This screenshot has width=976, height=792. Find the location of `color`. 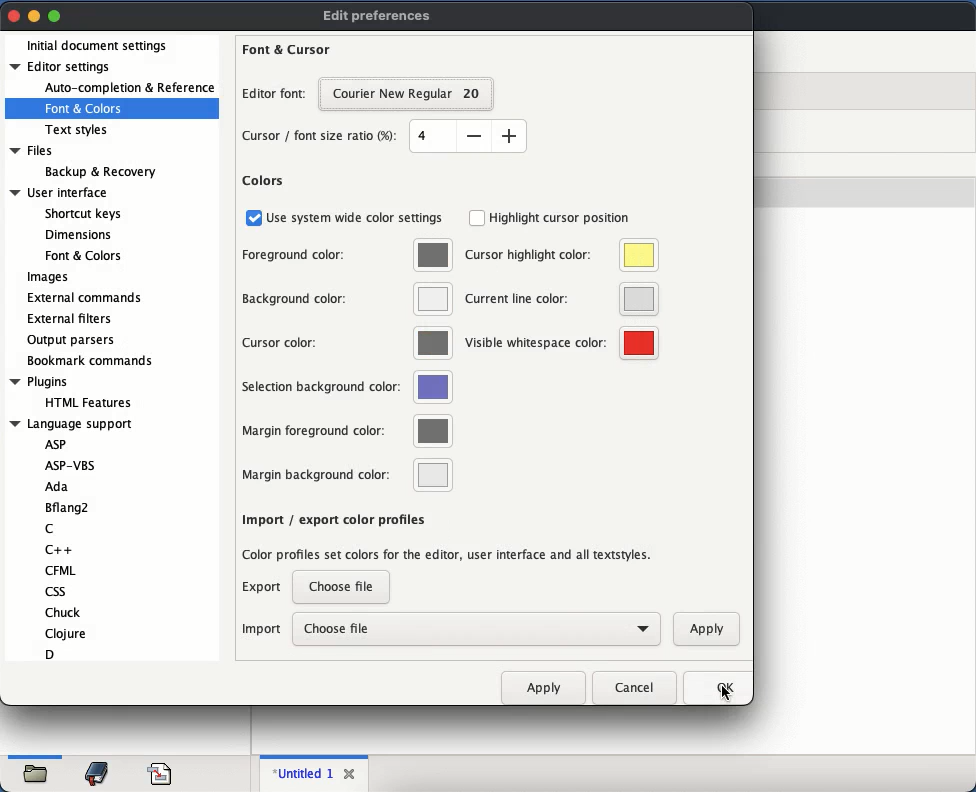

color is located at coordinates (433, 342).